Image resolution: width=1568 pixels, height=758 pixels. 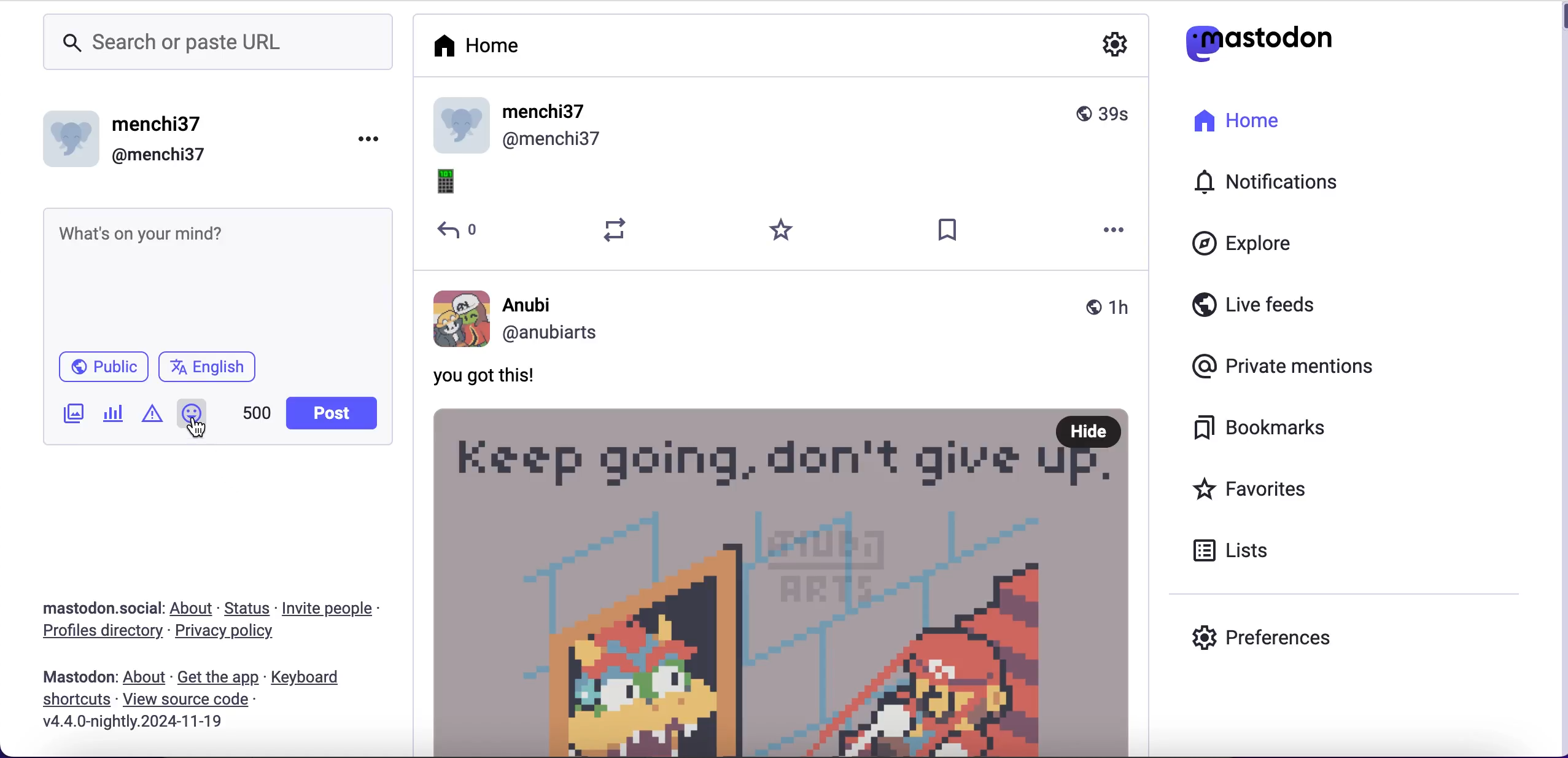 I want to click on options, so click(x=368, y=139).